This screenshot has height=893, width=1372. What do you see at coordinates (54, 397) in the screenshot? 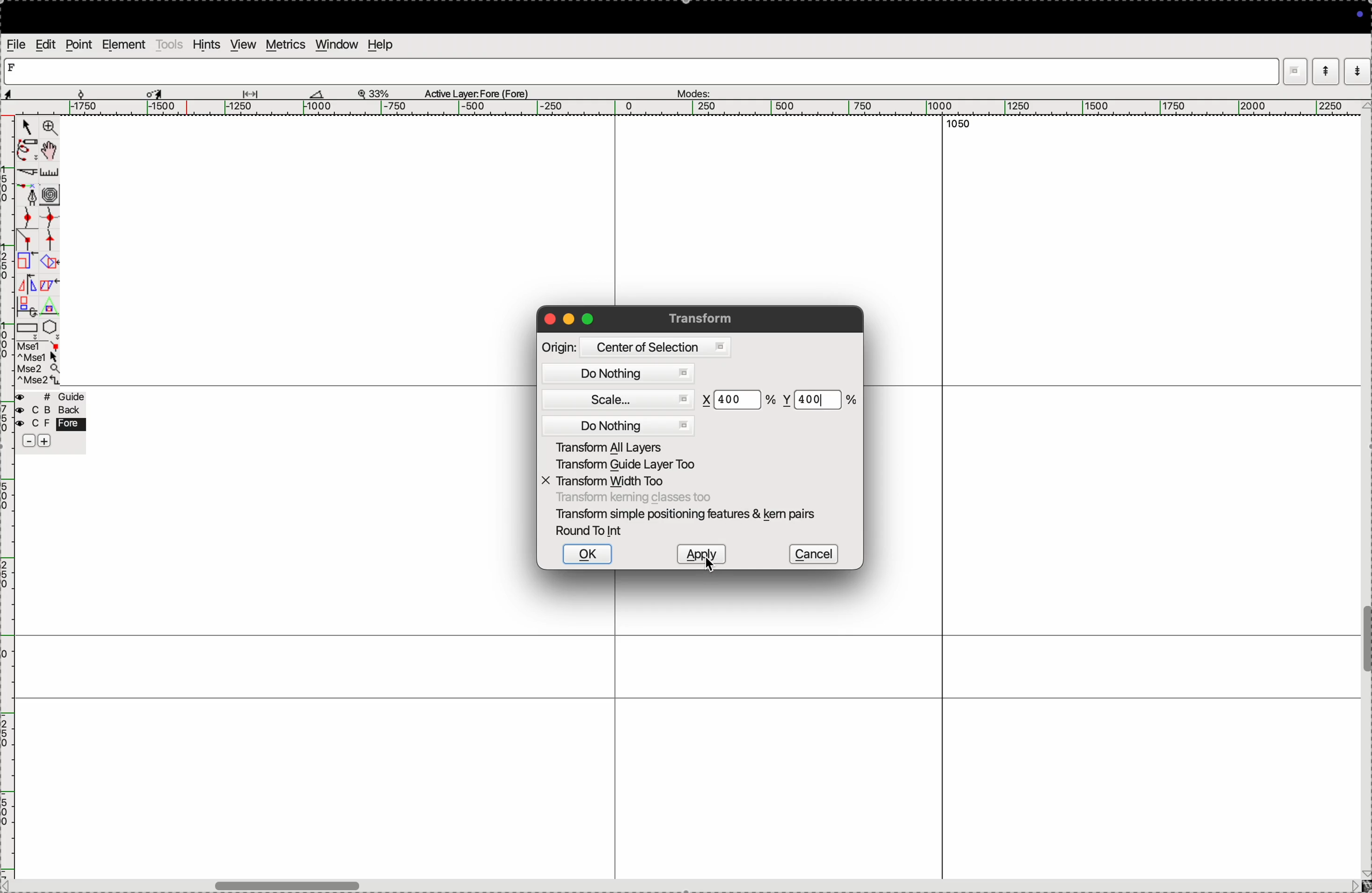
I see `guide` at bounding box center [54, 397].